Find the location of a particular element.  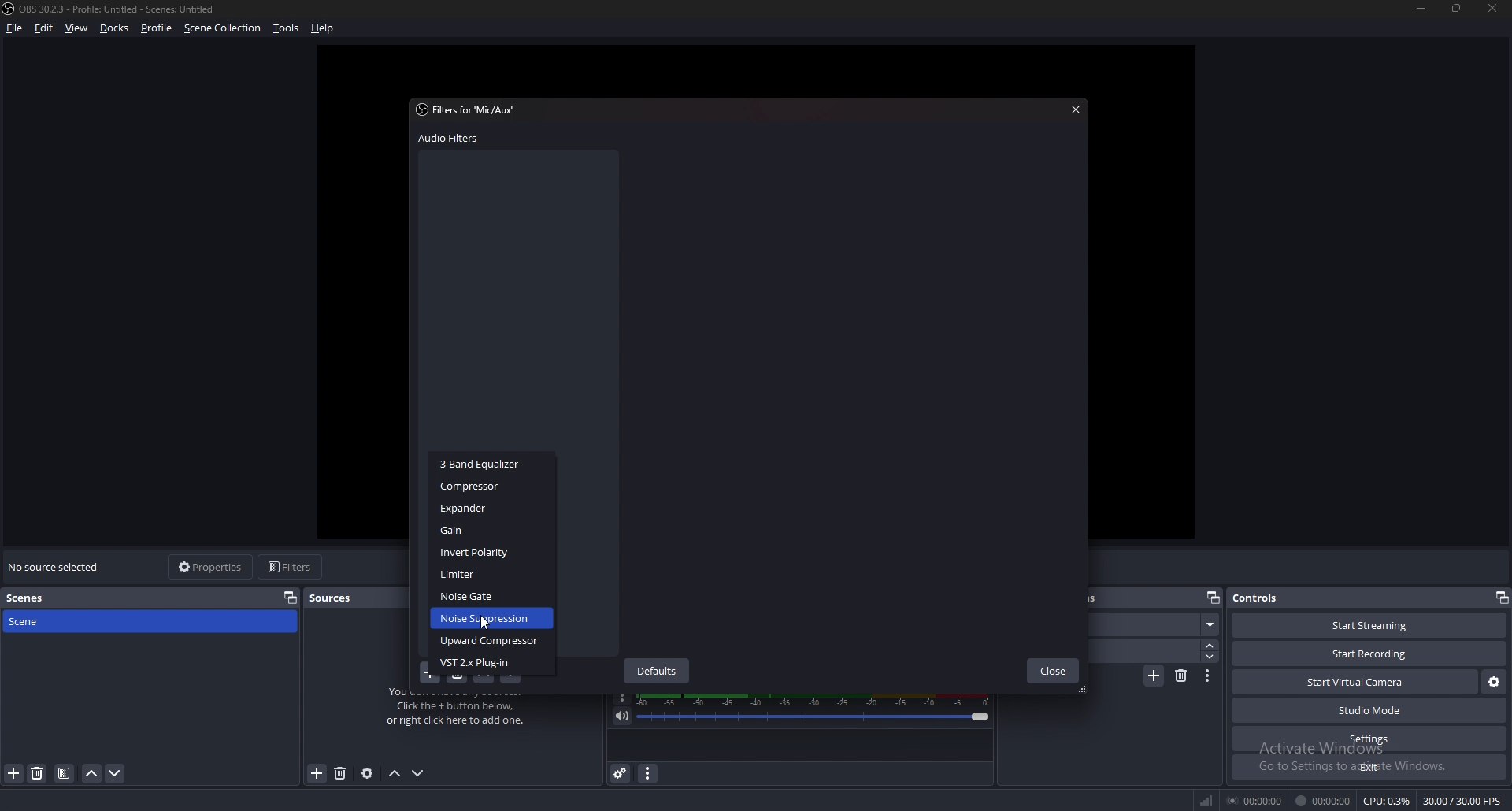

You don't have any sources.
Click the + button below,
or right click here to add one. is located at coordinates (462, 713).